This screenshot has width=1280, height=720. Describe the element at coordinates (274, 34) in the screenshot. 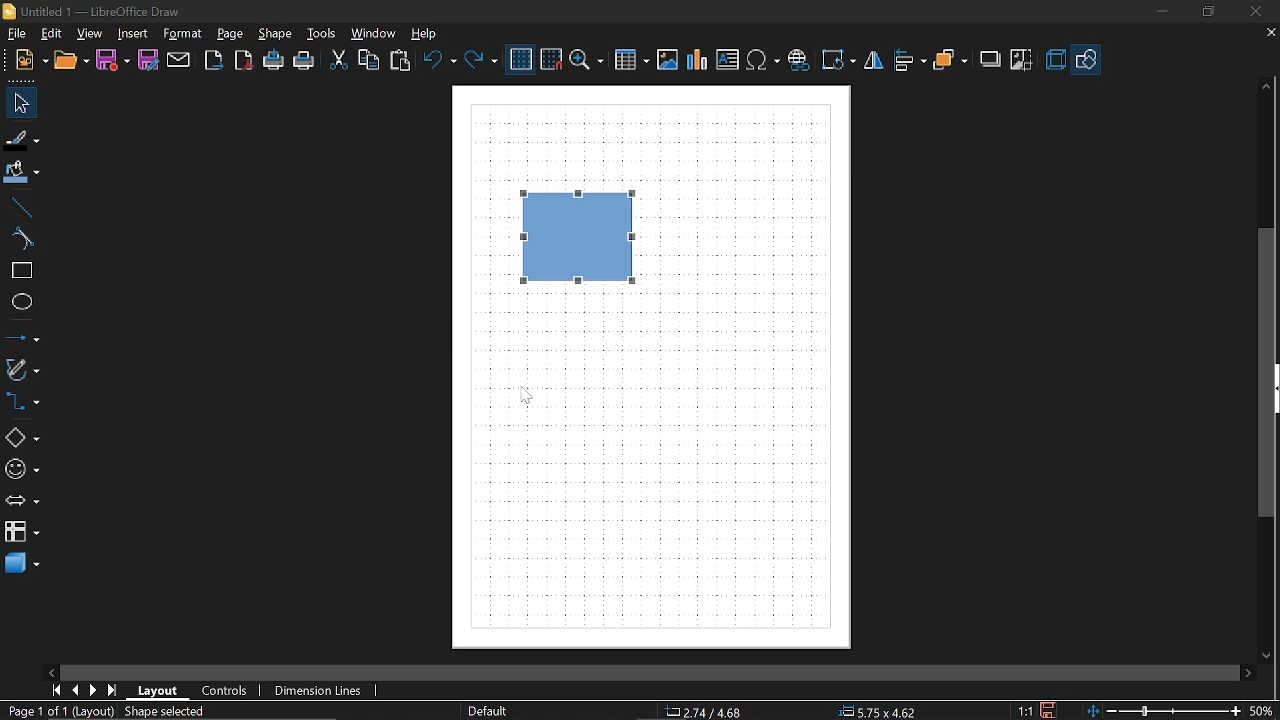

I see `Shape` at that location.